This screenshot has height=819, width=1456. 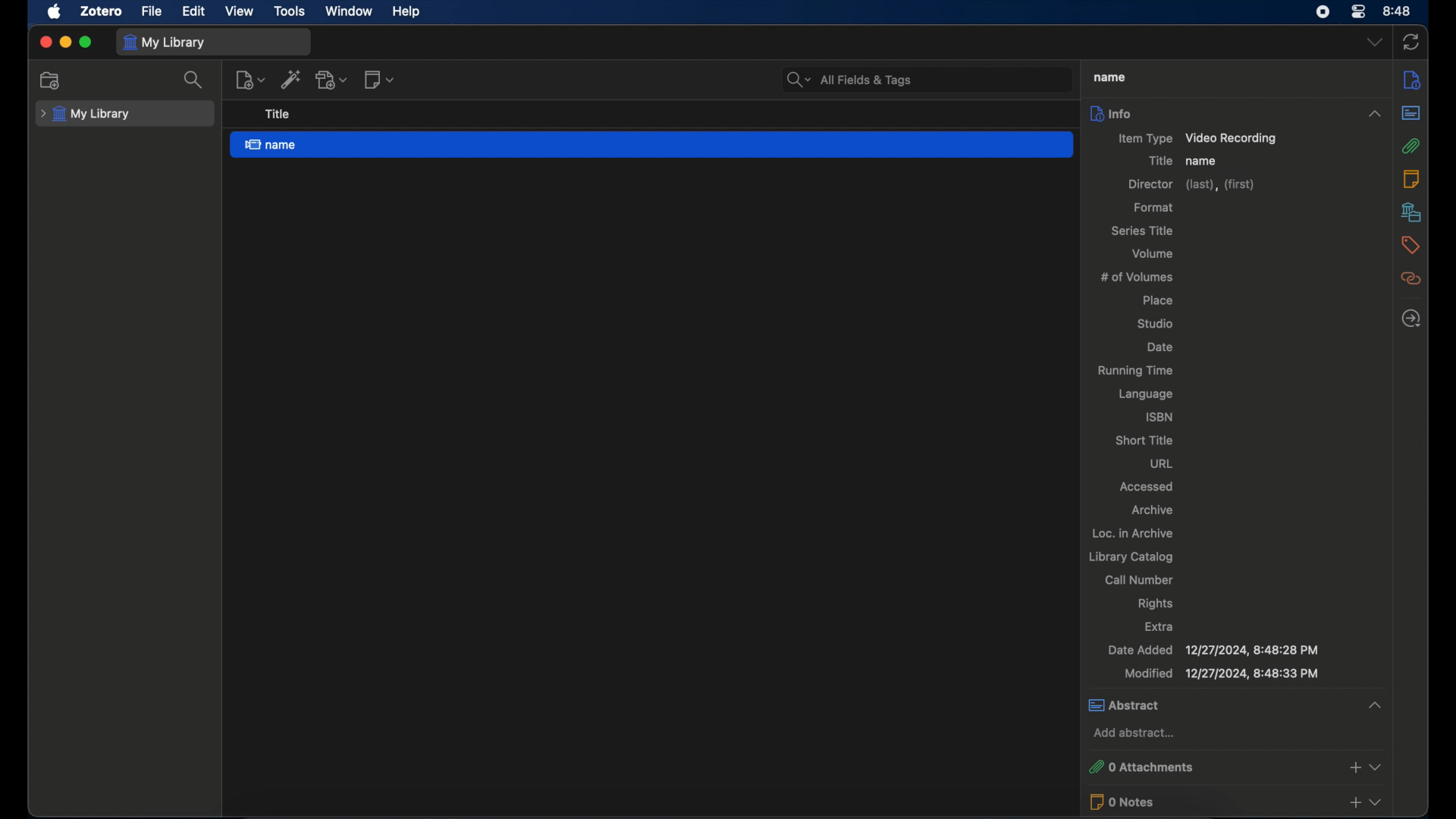 What do you see at coordinates (1323, 12) in the screenshot?
I see `screen recorder` at bounding box center [1323, 12].